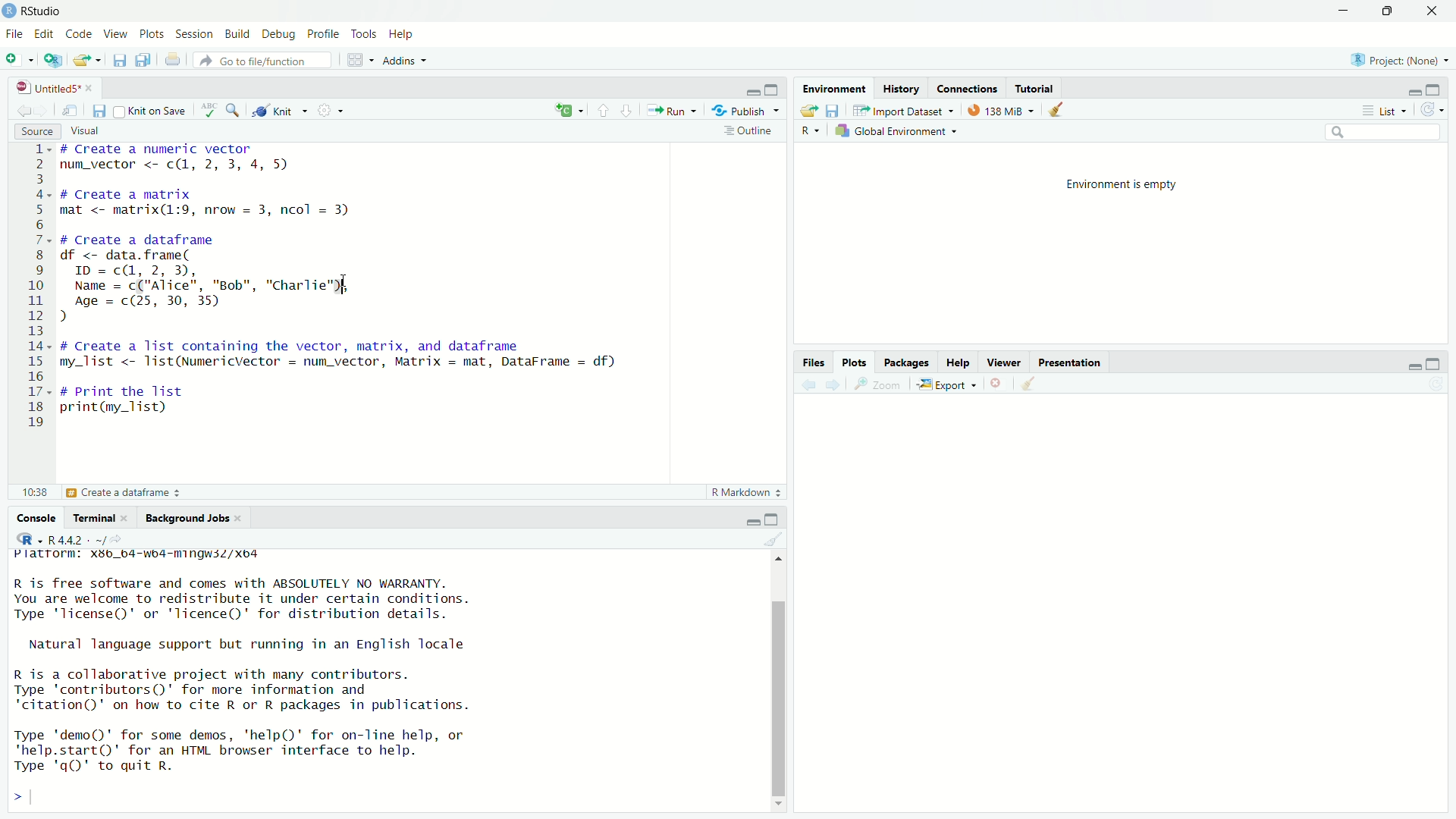 The width and height of the screenshot is (1456, 819). Describe the element at coordinates (777, 540) in the screenshot. I see `clear` at that location.